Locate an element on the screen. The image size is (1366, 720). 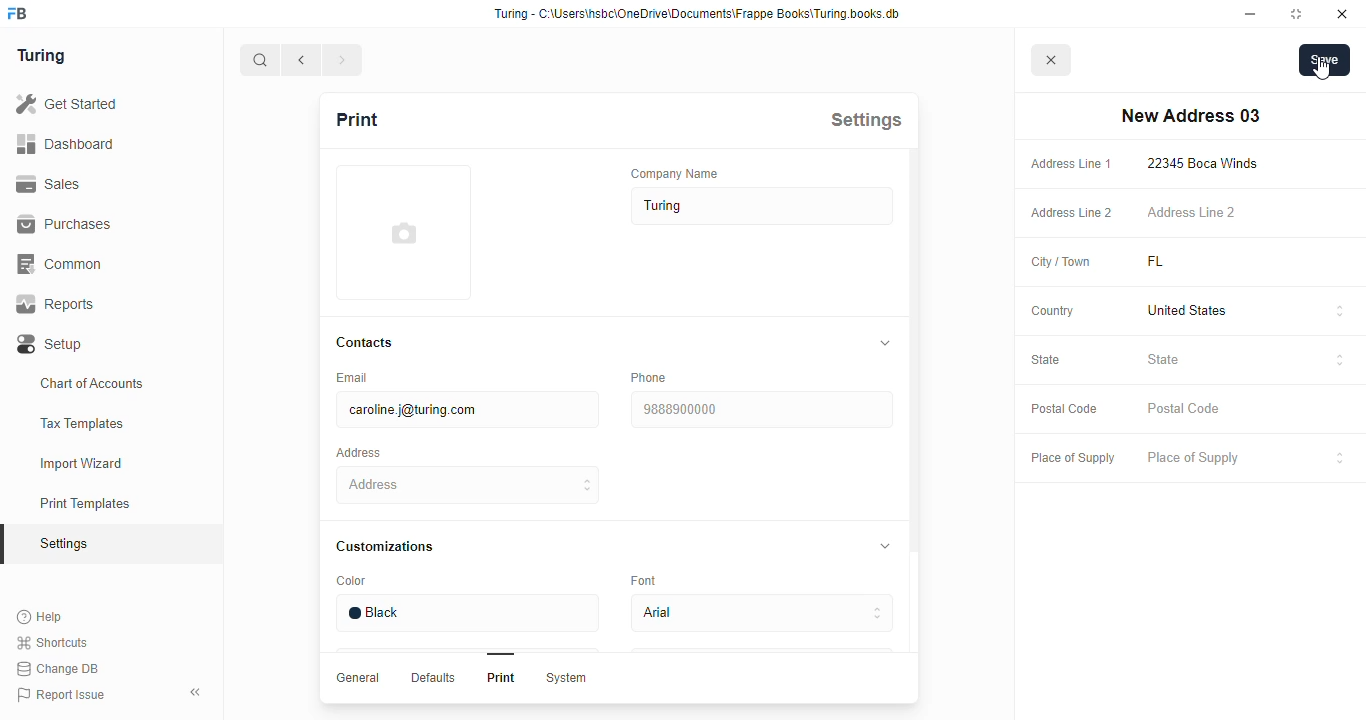
black is located at coordinates (466, 613).